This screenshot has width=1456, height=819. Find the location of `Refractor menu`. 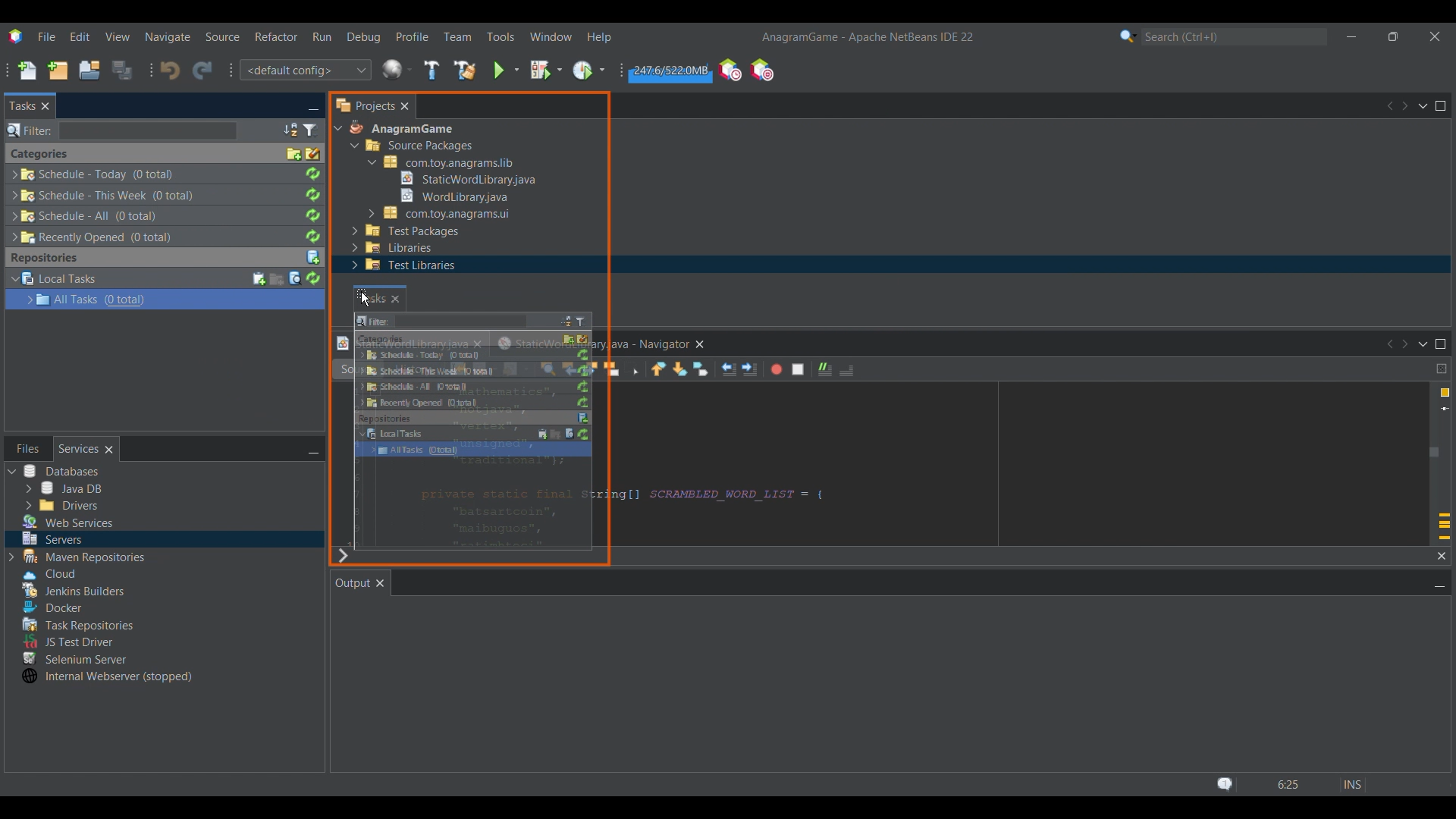

Refractor menu is located at coordinates (277, 36).